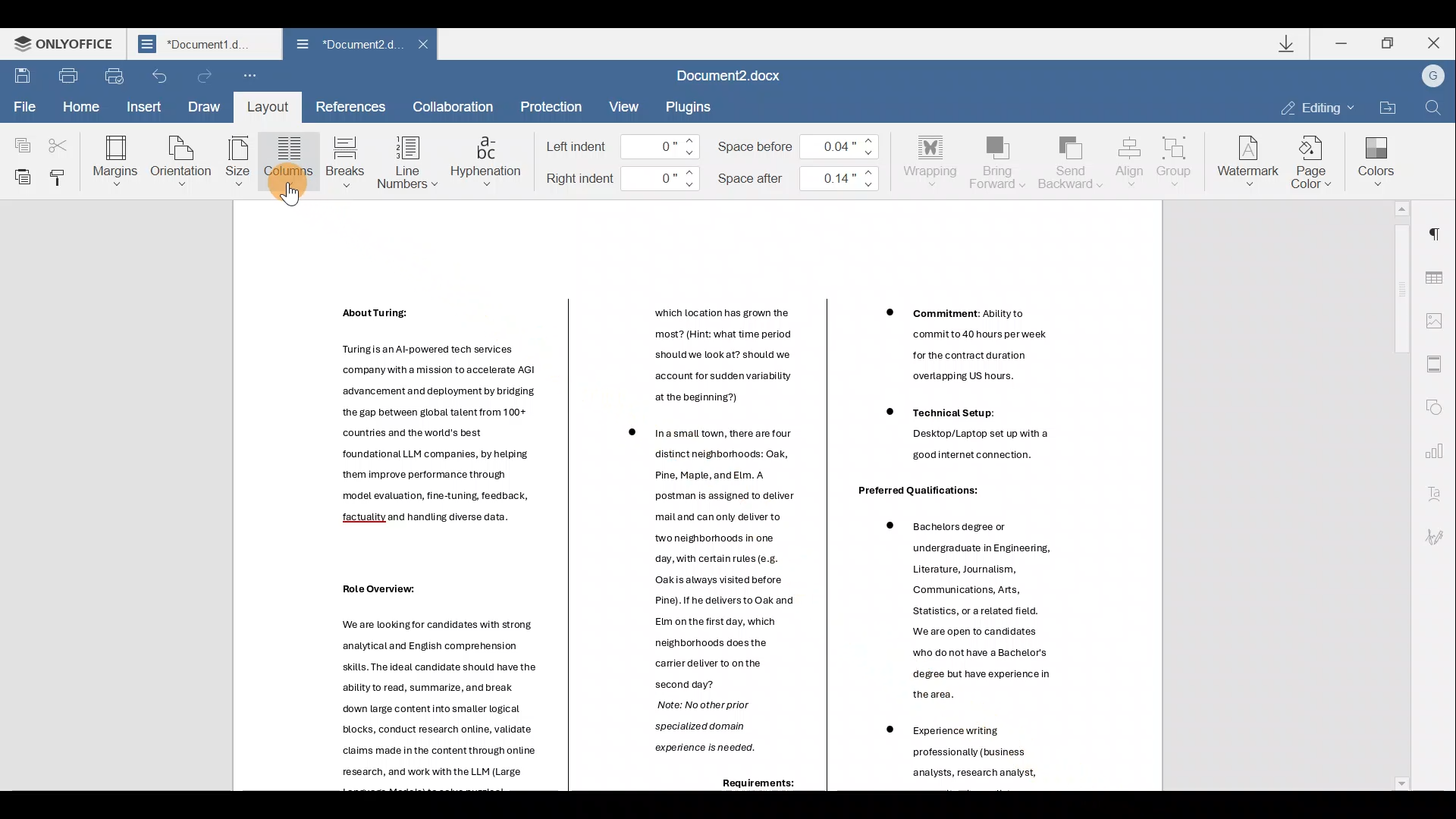 This screenshot has height=819, width=1456. I want to click on Collaboration, so click(453, 106).